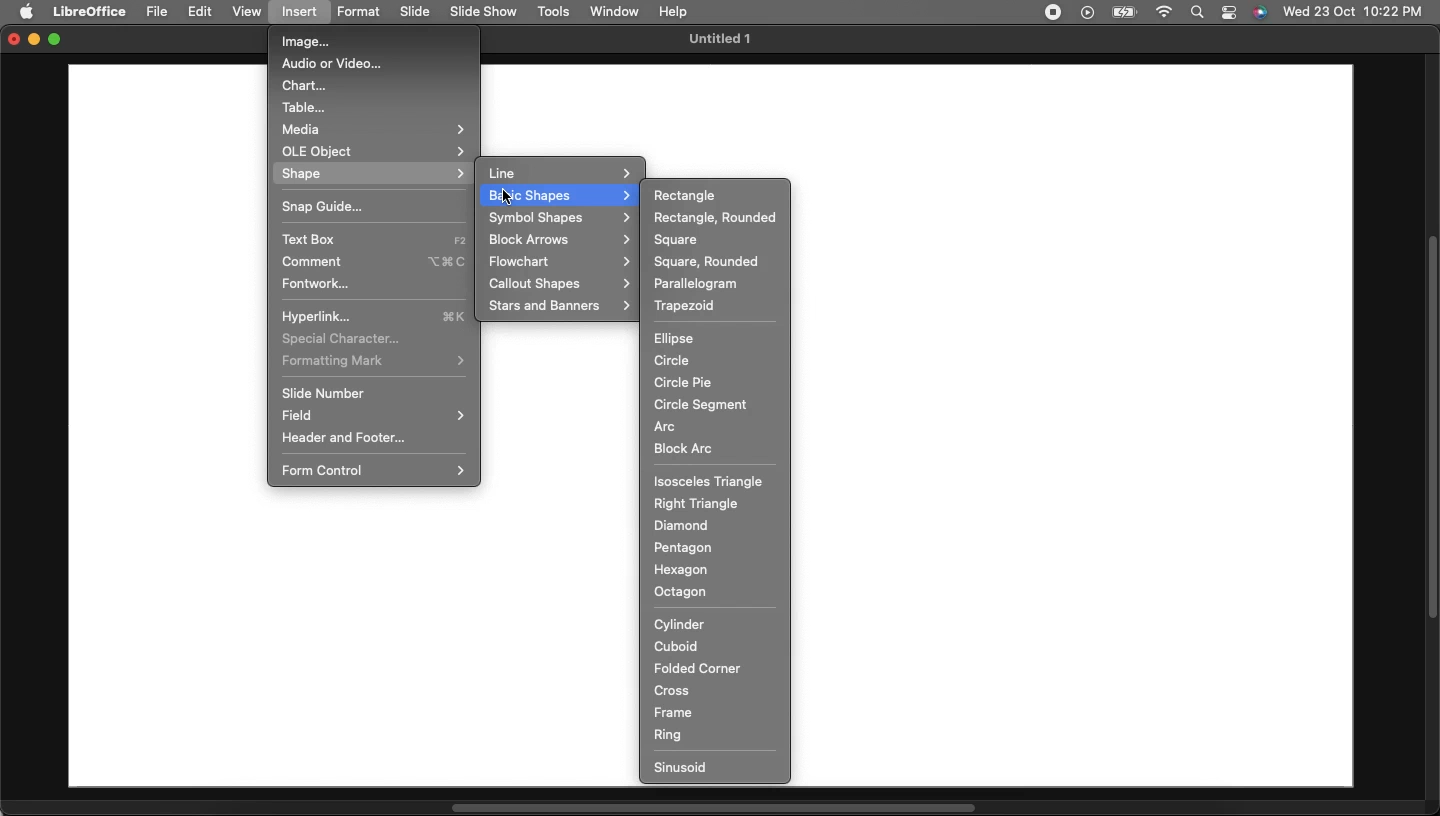 The height and width of the screenshot is (816, 1440). Describe the element at coordinates (316, 283) in the screenshot. I see `Fontwork` at that location.